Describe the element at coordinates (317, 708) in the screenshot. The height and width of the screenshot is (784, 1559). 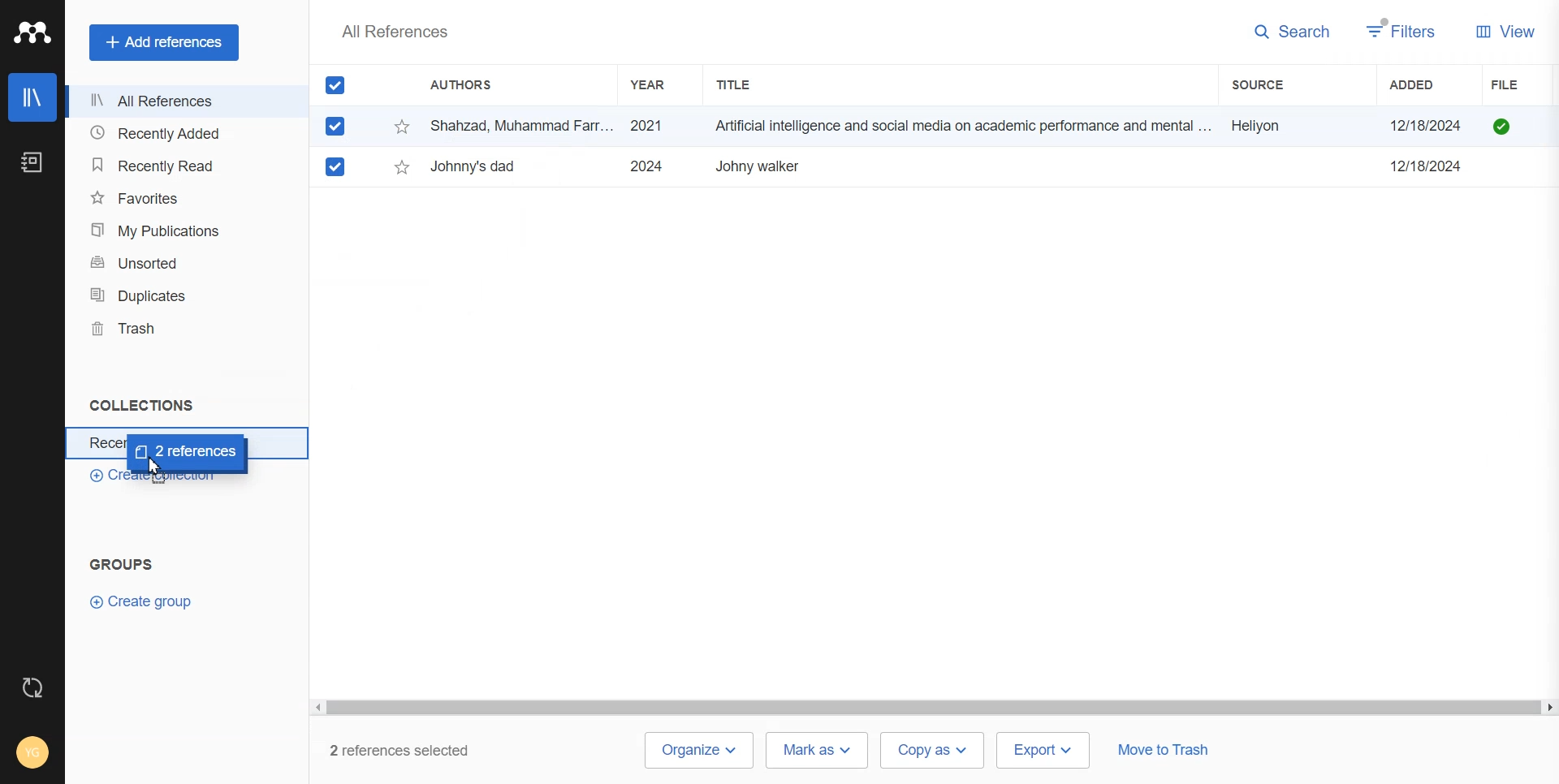
I see `scroll left` at that location.